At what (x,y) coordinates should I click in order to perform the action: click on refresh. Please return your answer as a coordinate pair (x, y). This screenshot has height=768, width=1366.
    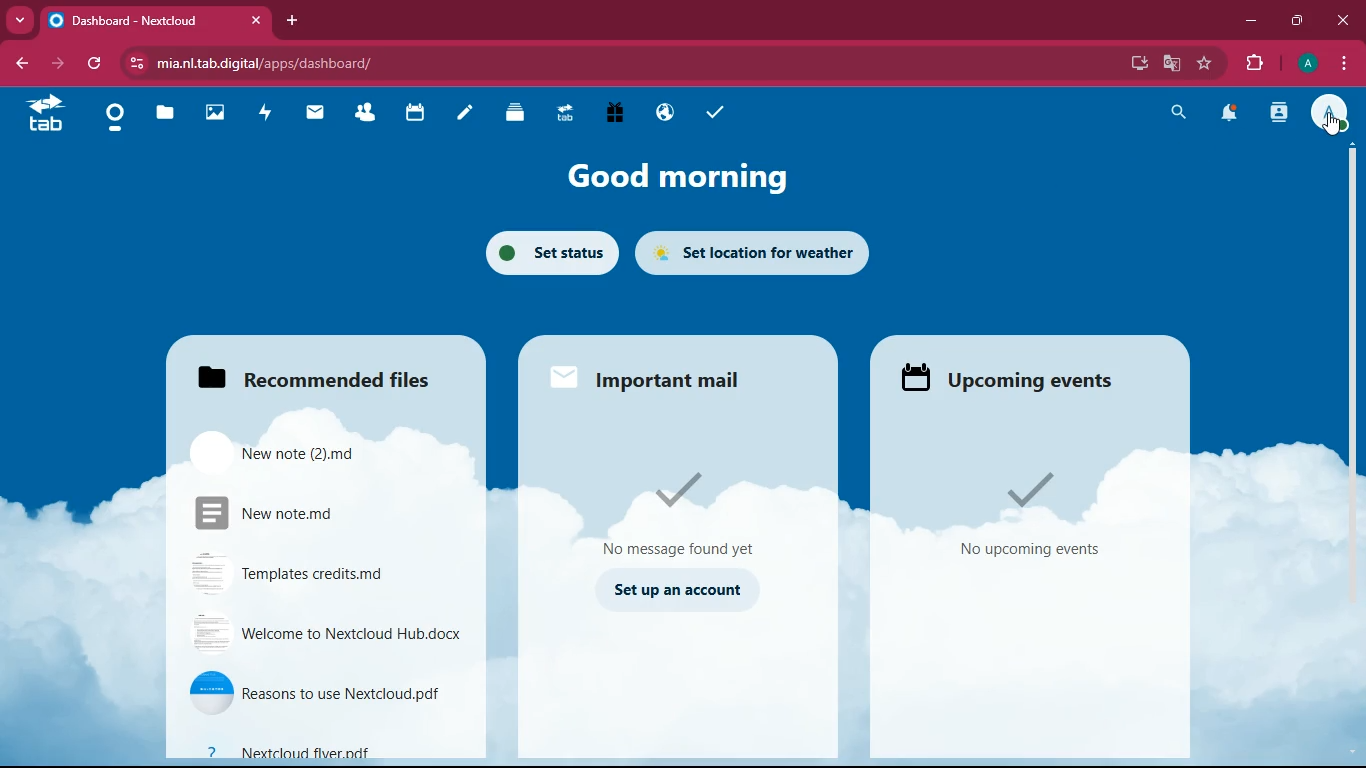
    Looking at the image, I should click on (100, 65).